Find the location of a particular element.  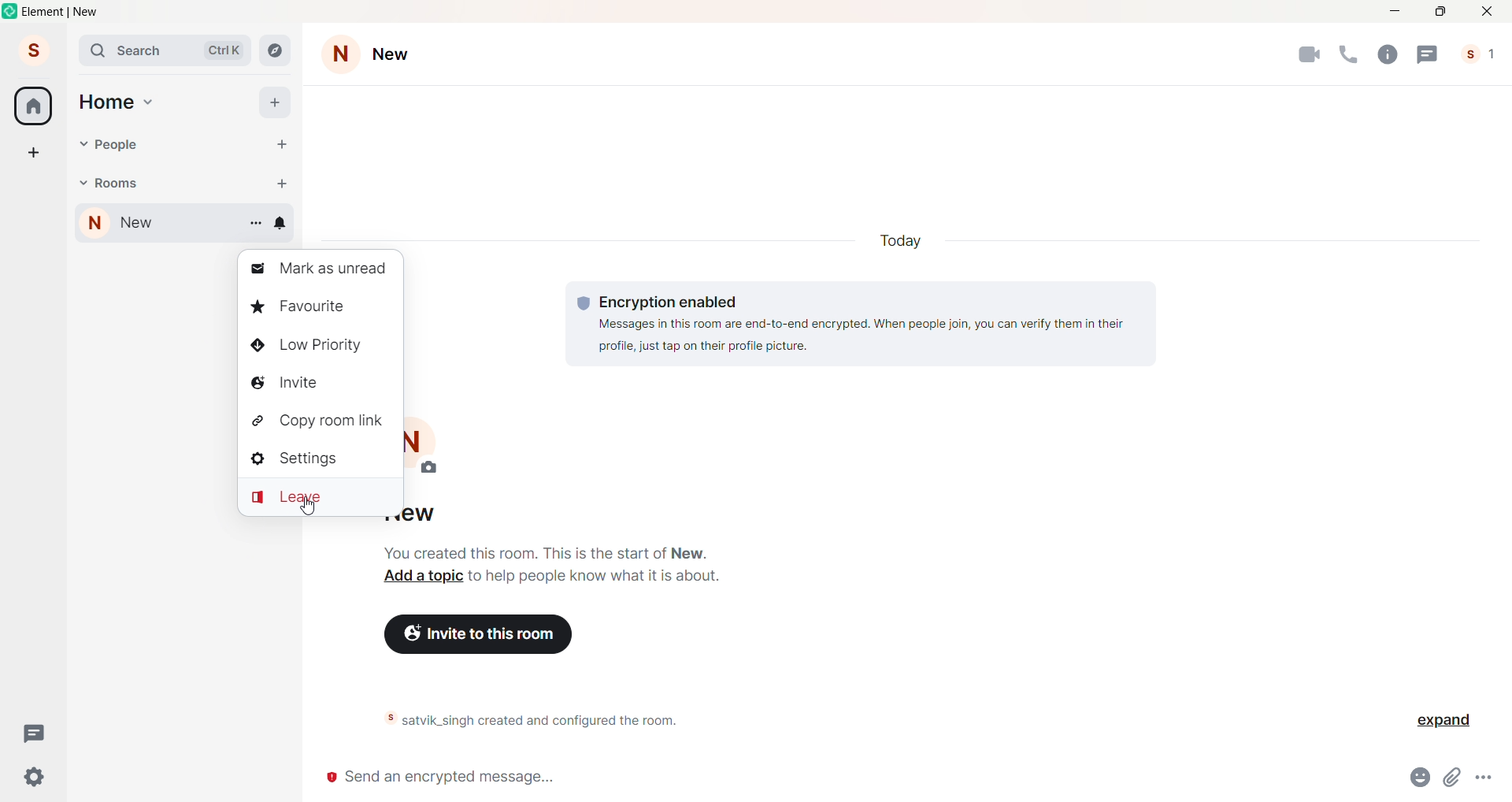

Create a Space is located at coordinates (32, 150).